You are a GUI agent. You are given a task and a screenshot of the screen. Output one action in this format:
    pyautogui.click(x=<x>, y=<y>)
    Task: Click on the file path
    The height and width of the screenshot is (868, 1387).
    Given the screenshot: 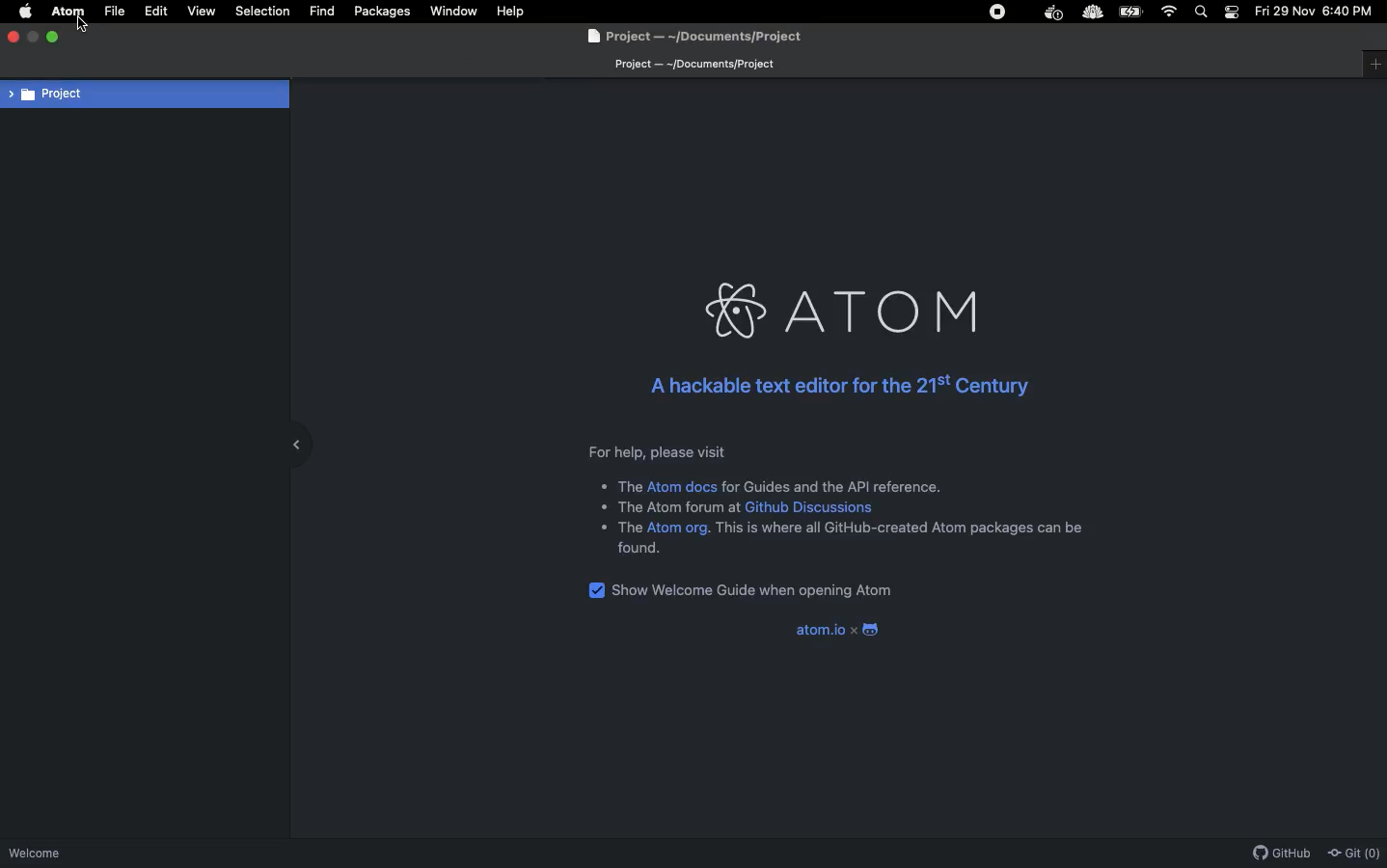 What is the action you would take?
    pyautogui.click(x=693, y=66)
    